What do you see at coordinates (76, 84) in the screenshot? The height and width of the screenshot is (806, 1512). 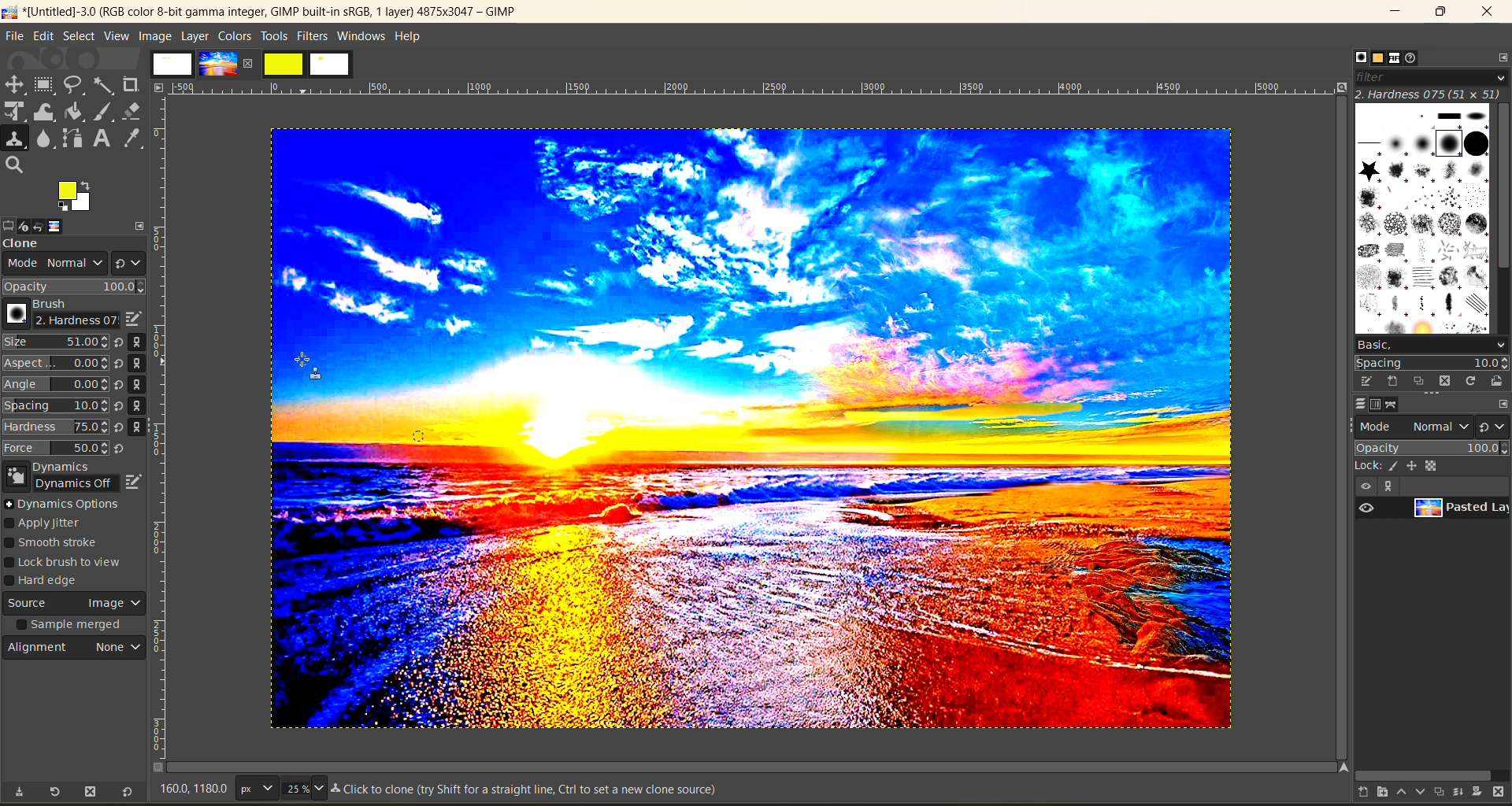 I see `free select tool` at bounding box center [76, 84].